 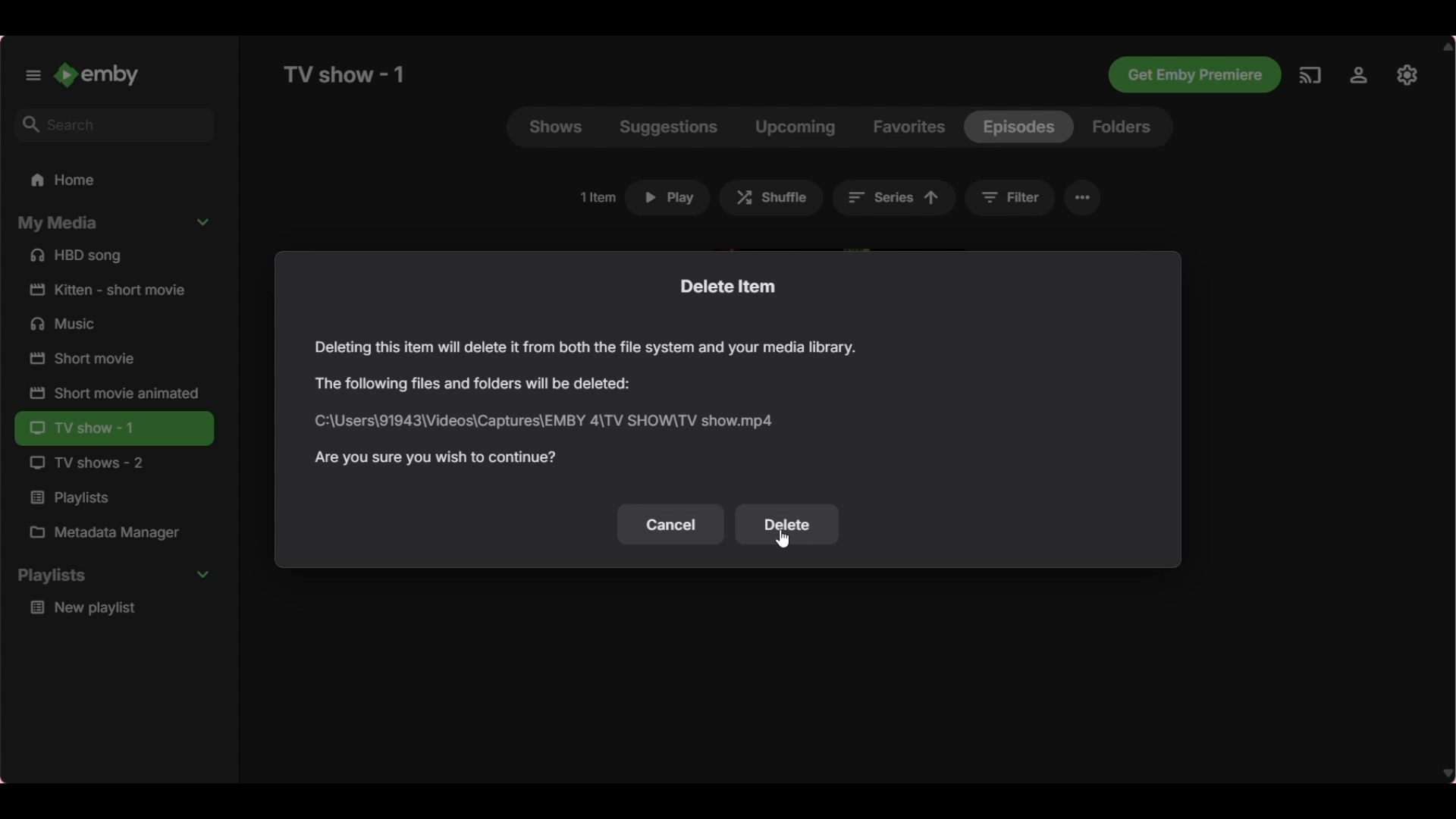 I want to click on Click to play selected episode, so click(x=667, y=198).